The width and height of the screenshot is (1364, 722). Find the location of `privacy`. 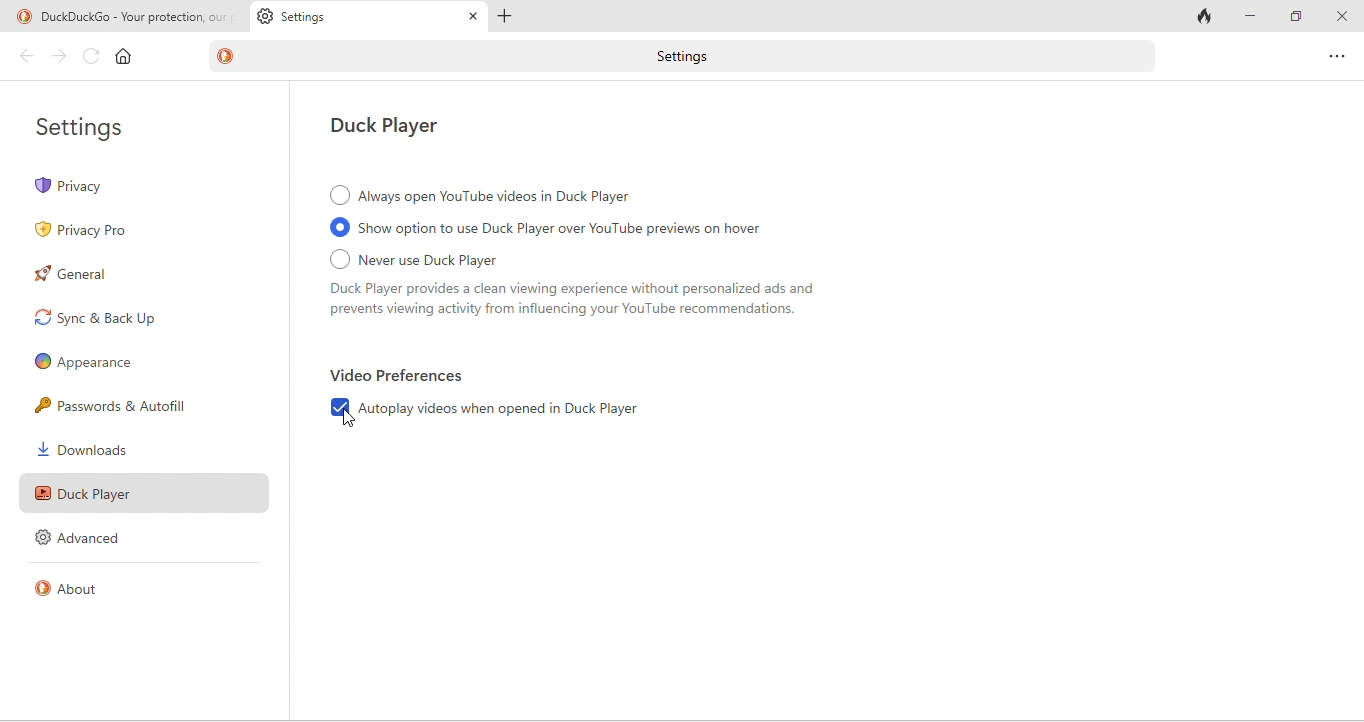

privacy is located at coordinates (143, 186).